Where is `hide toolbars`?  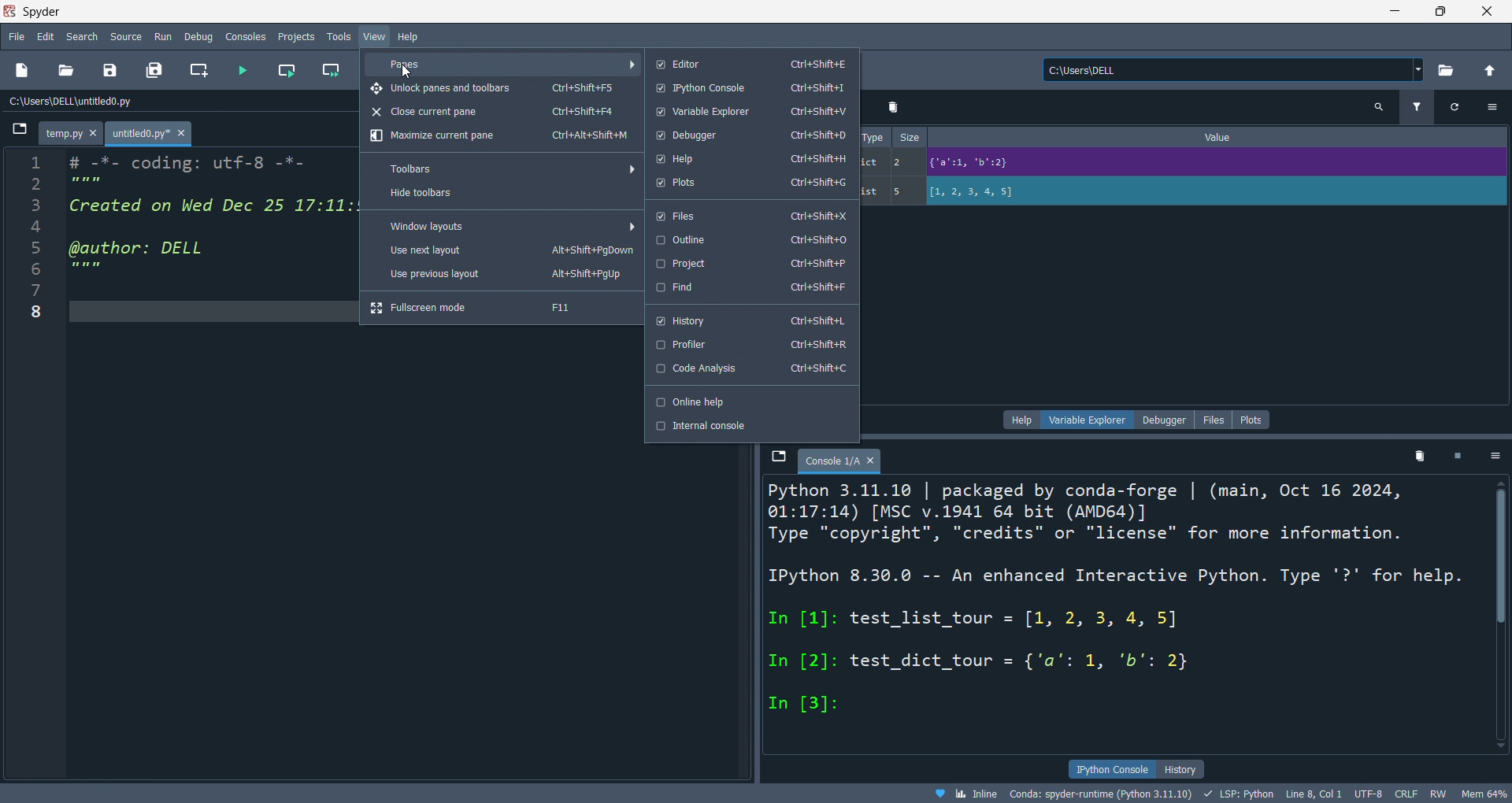
hide toolbars is located at coordinates (502, 195).